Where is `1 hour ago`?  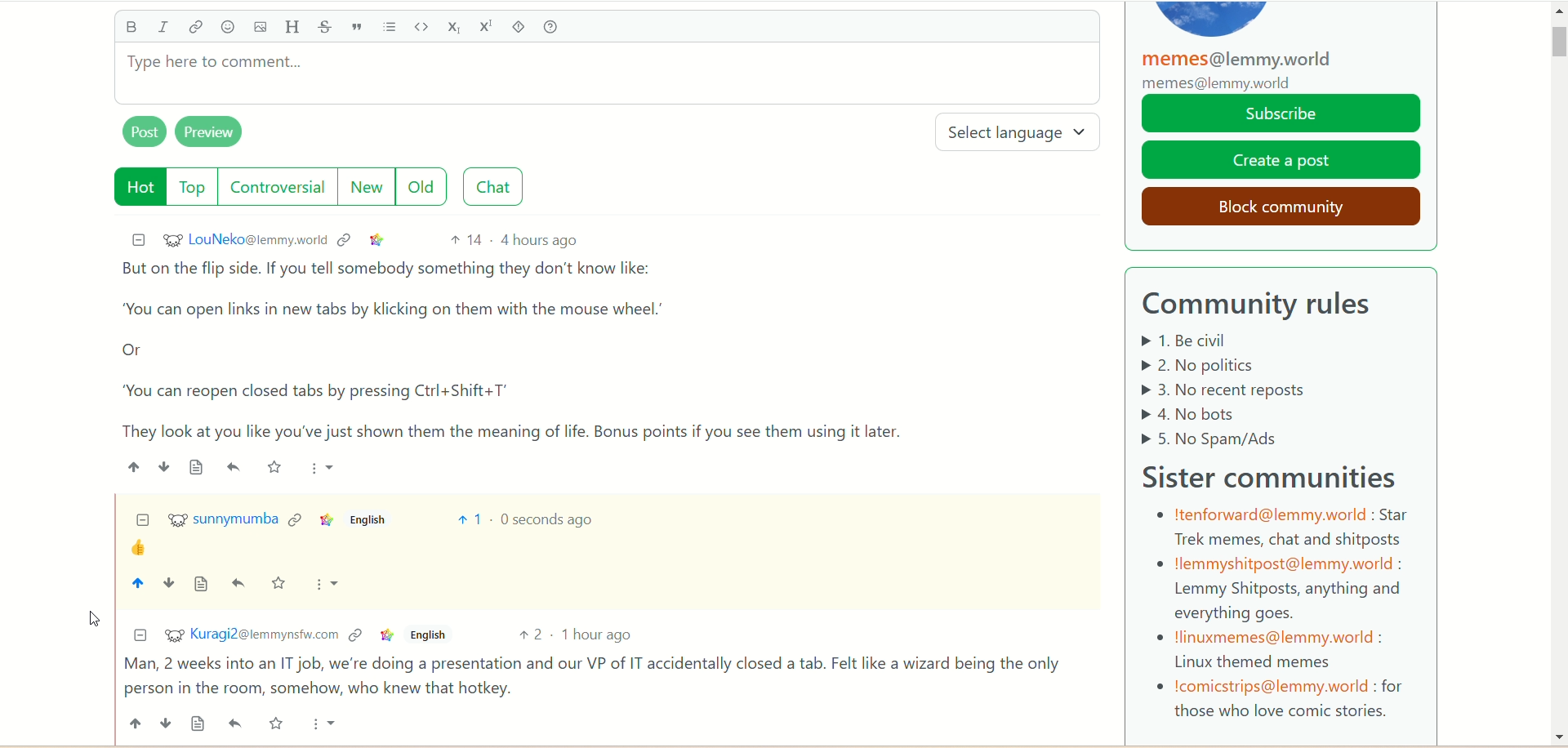
1 hour ago is located at coordinates (599, 636).